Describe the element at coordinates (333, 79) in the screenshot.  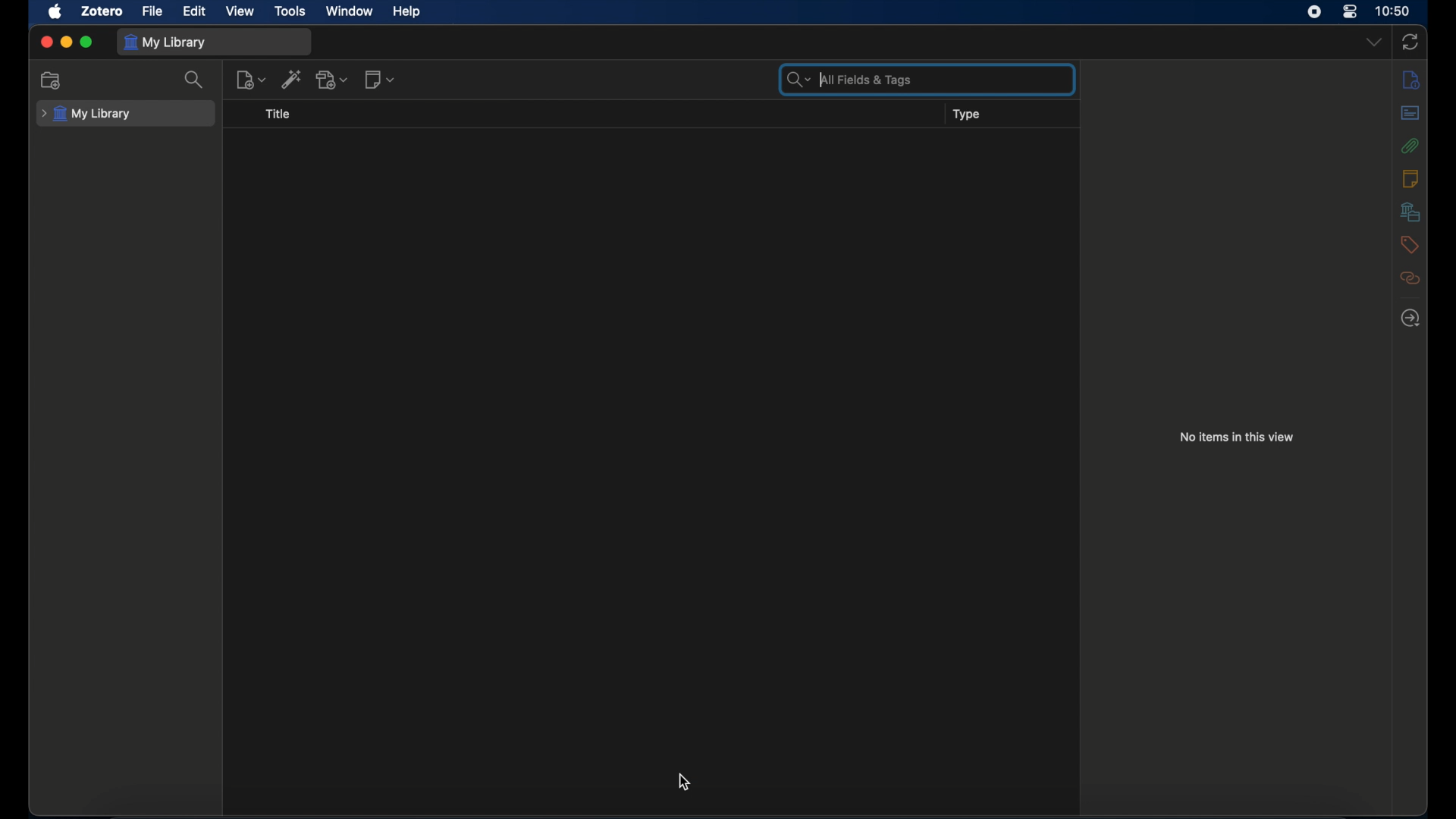
I see `add attachments` at that location.